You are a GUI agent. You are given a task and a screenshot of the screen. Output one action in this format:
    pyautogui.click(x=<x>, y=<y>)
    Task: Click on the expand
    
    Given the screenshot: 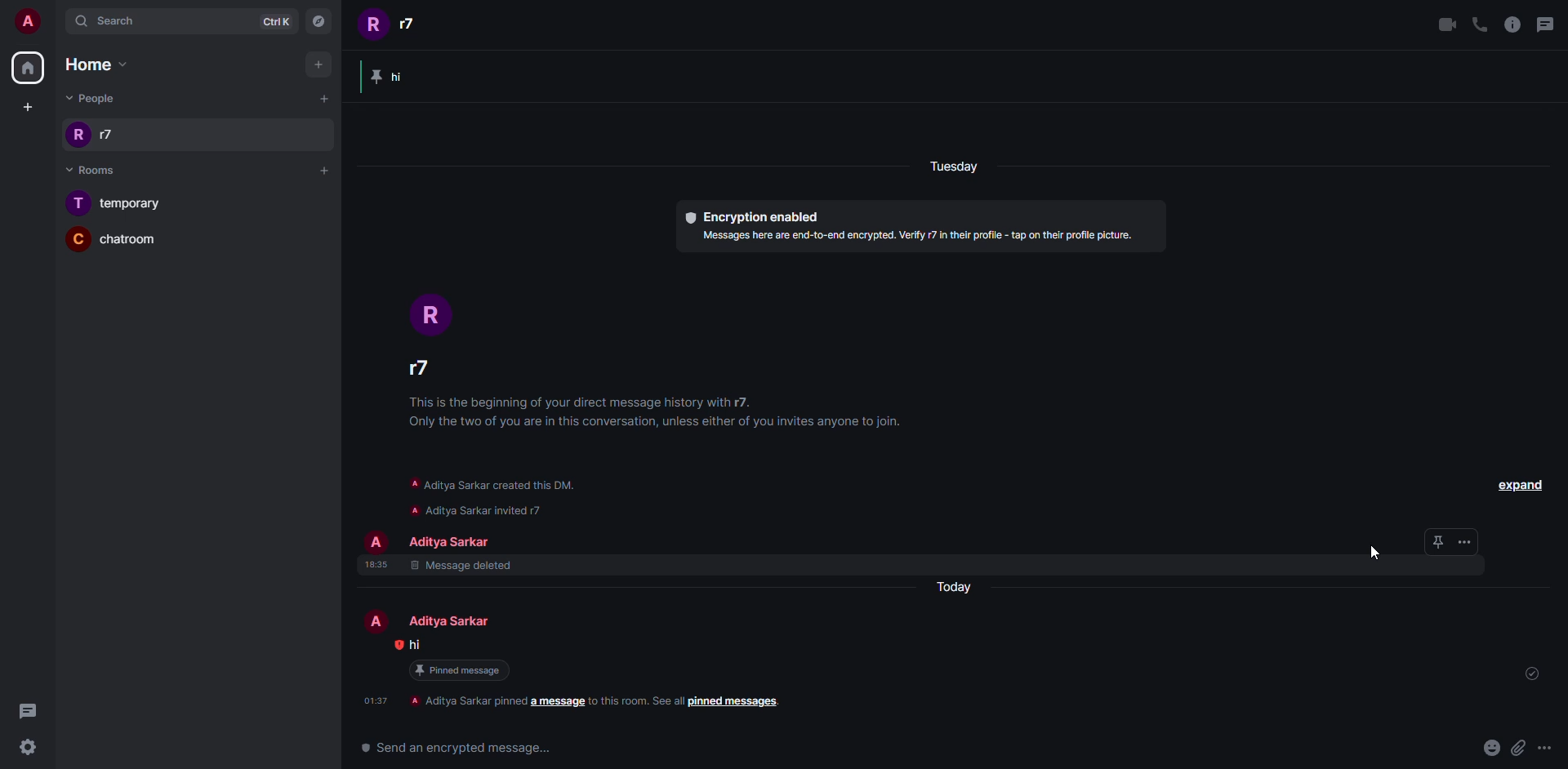 What is the action you would take?
    pyautogui.click(x=1512, y=485)
    